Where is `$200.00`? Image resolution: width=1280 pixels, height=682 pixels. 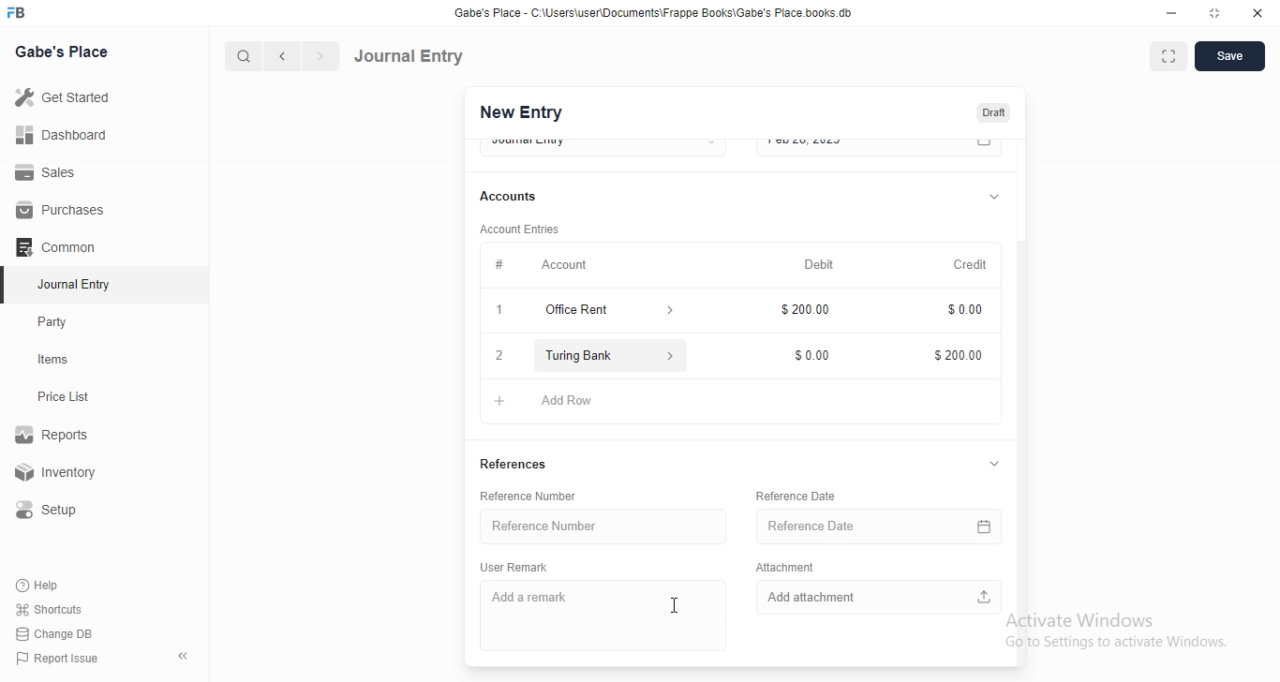 $200.00 is located at coordinates (957, 357).